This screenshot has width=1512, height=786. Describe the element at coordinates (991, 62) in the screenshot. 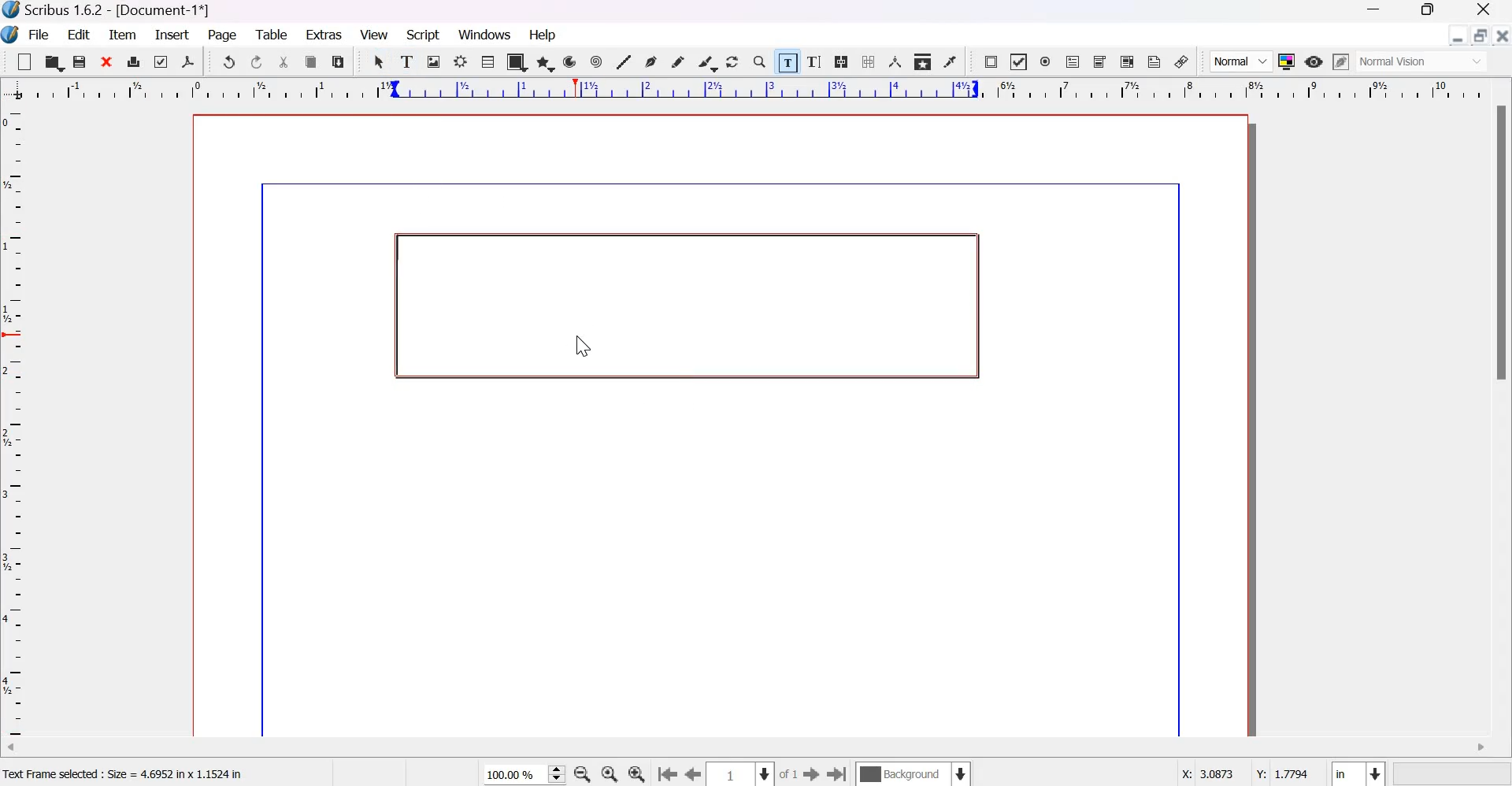

I see `PDF push button` at that location.